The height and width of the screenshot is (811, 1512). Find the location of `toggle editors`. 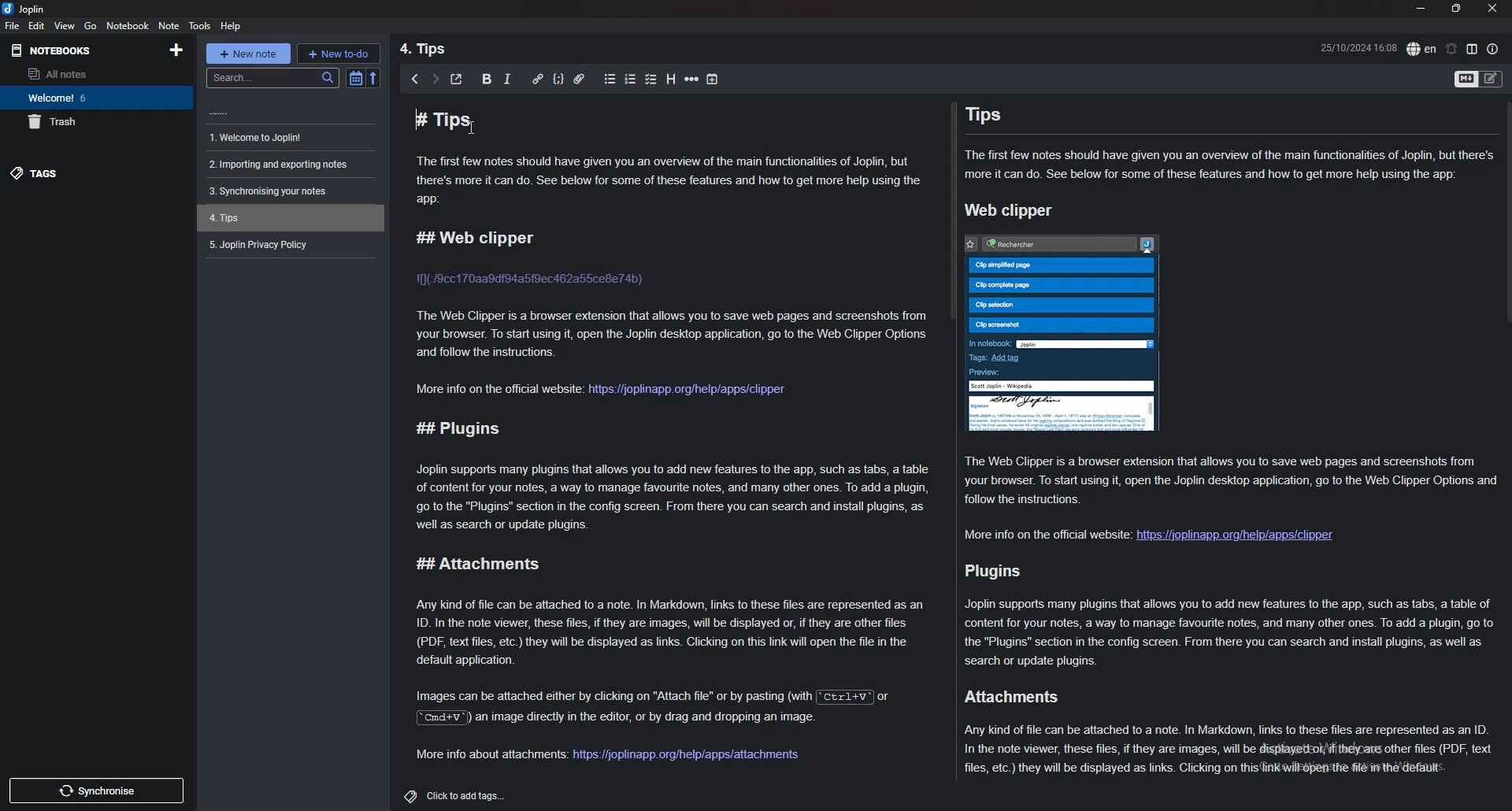

toggle editors is located at coordinates (1492, 80).